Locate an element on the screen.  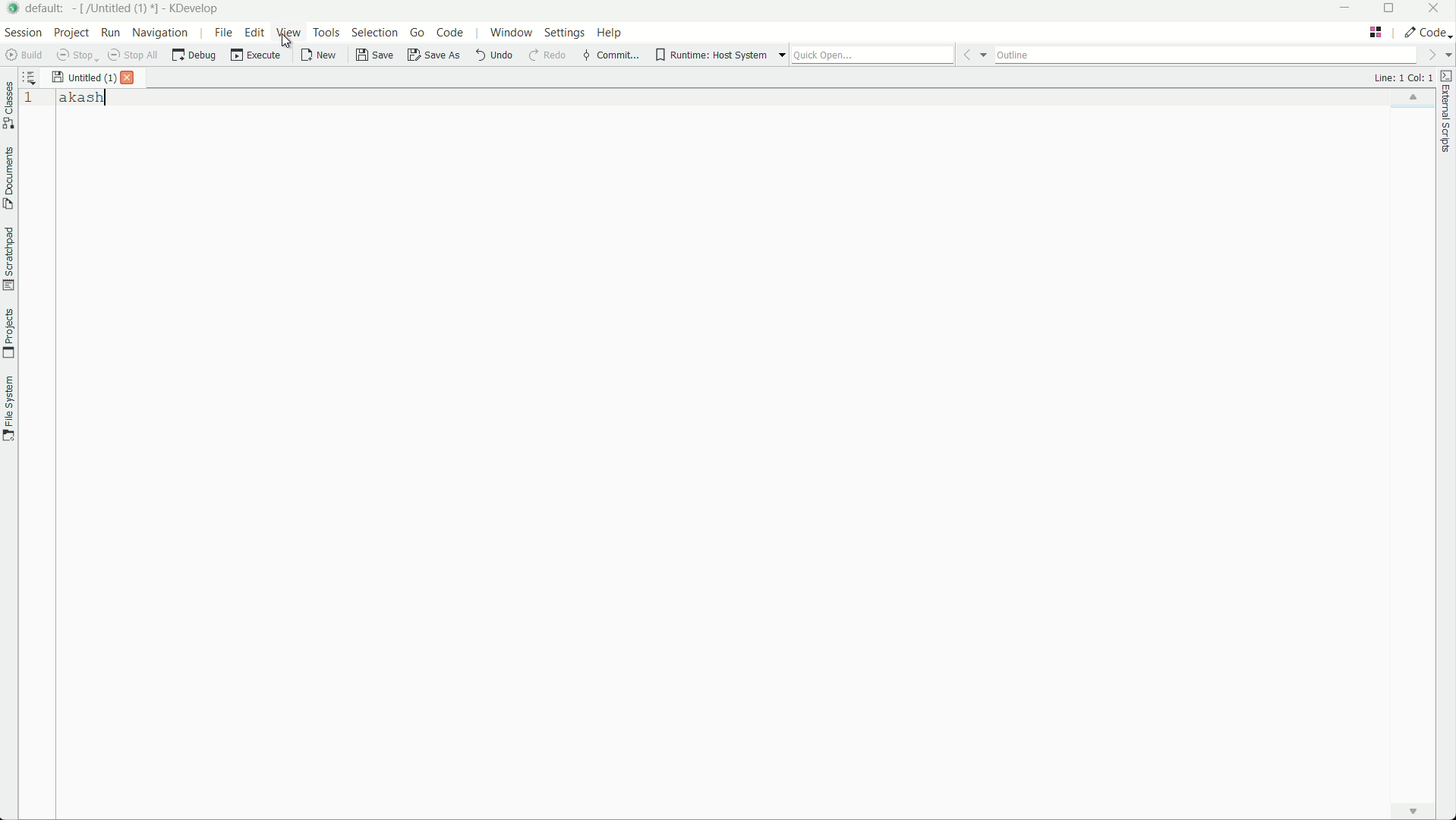
projects is located at coordinates (10, 335).